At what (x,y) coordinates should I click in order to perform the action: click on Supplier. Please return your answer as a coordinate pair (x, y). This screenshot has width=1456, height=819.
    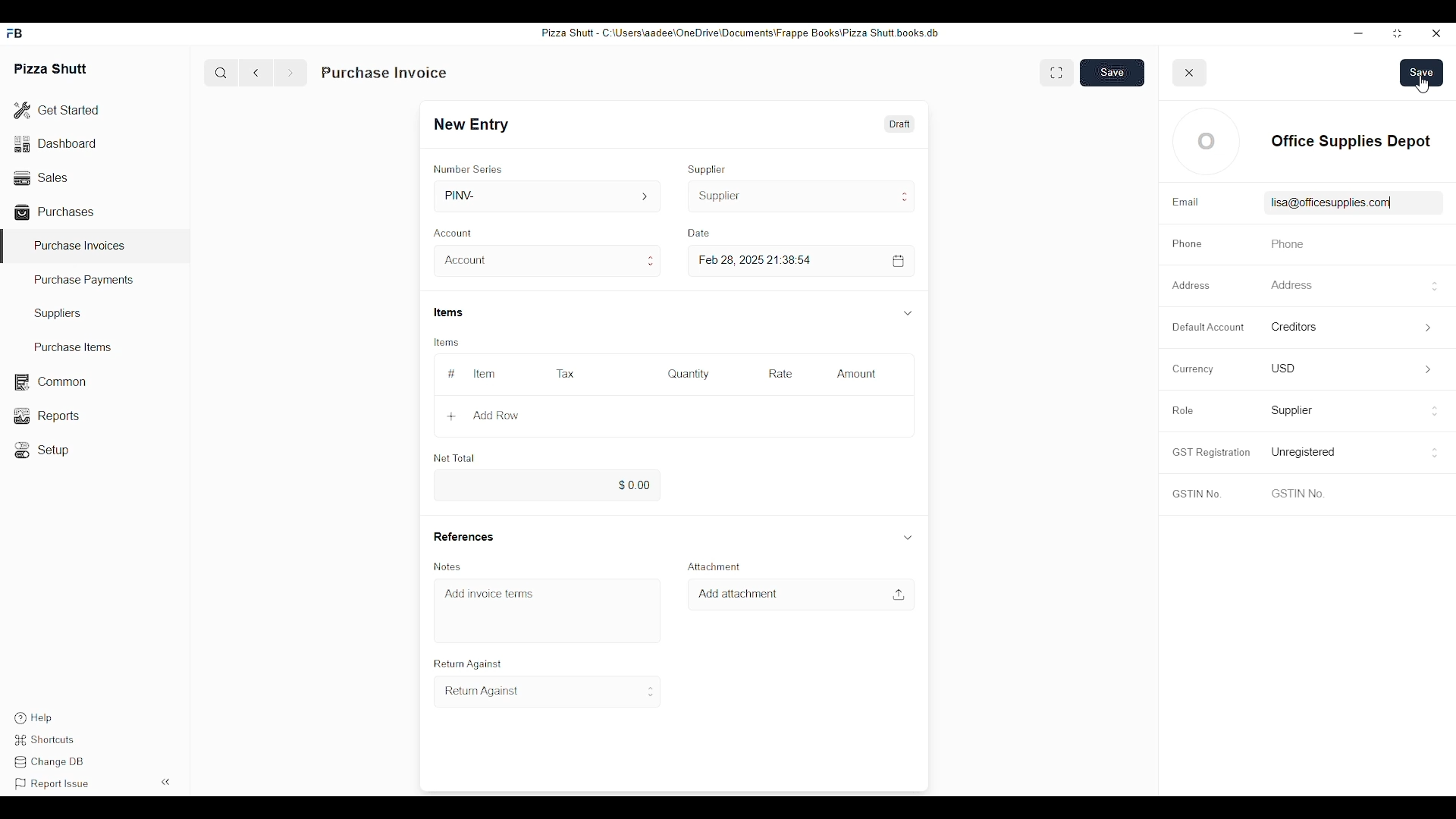
    Looking at the image, I should click on (802, 196).